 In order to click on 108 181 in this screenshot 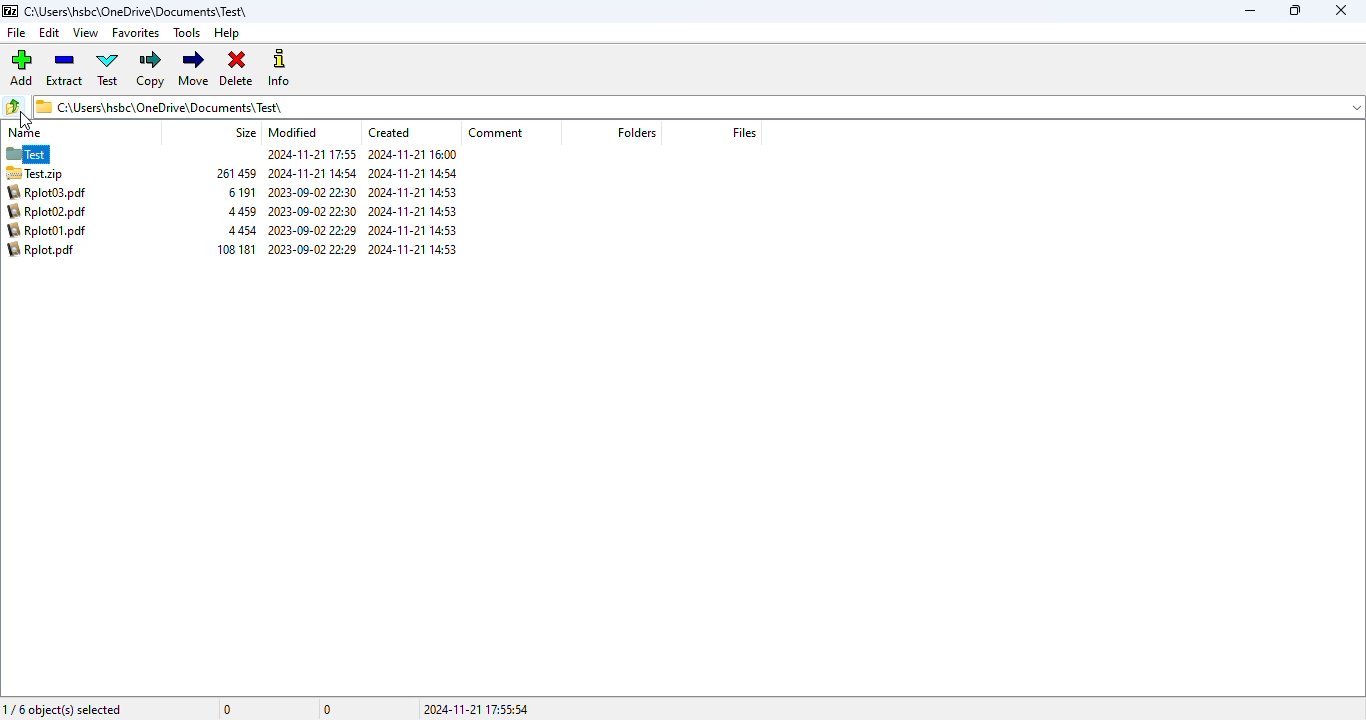, I will do `click(235, 249)`.